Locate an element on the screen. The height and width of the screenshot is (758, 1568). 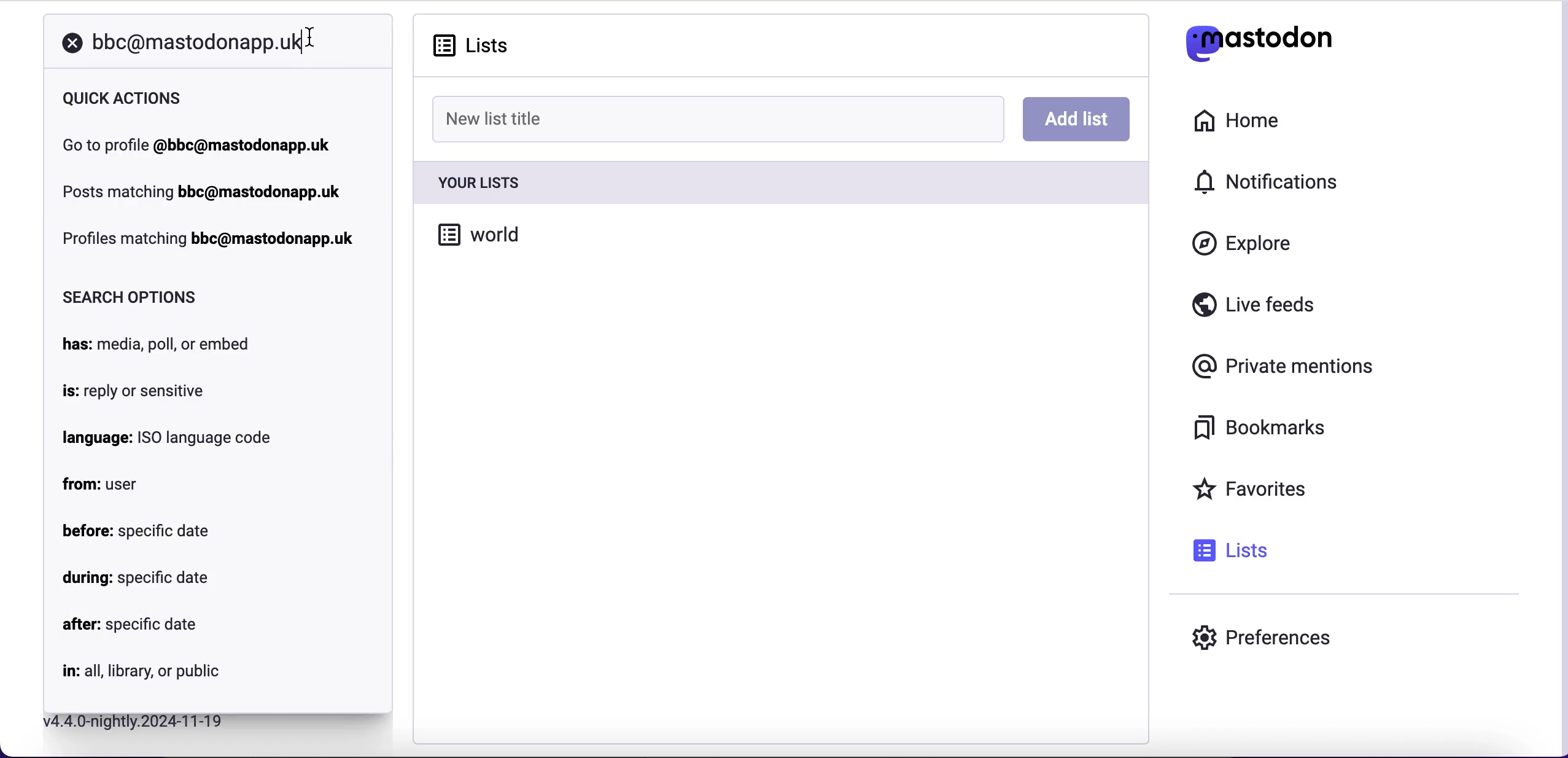
add is located at coordinates (1075, 119).